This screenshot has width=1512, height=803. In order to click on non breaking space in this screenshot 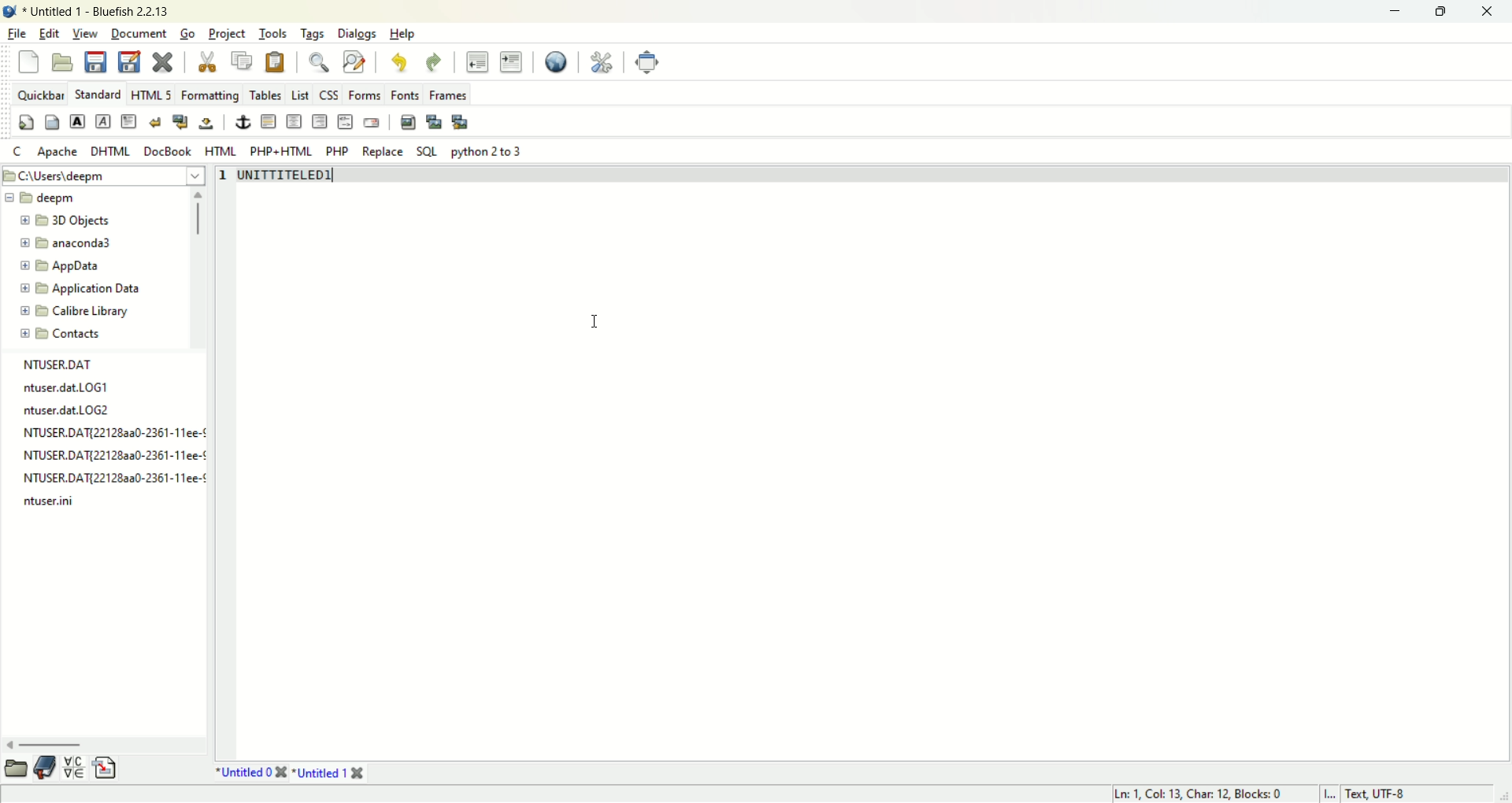, I will do `click(206, 125)`.